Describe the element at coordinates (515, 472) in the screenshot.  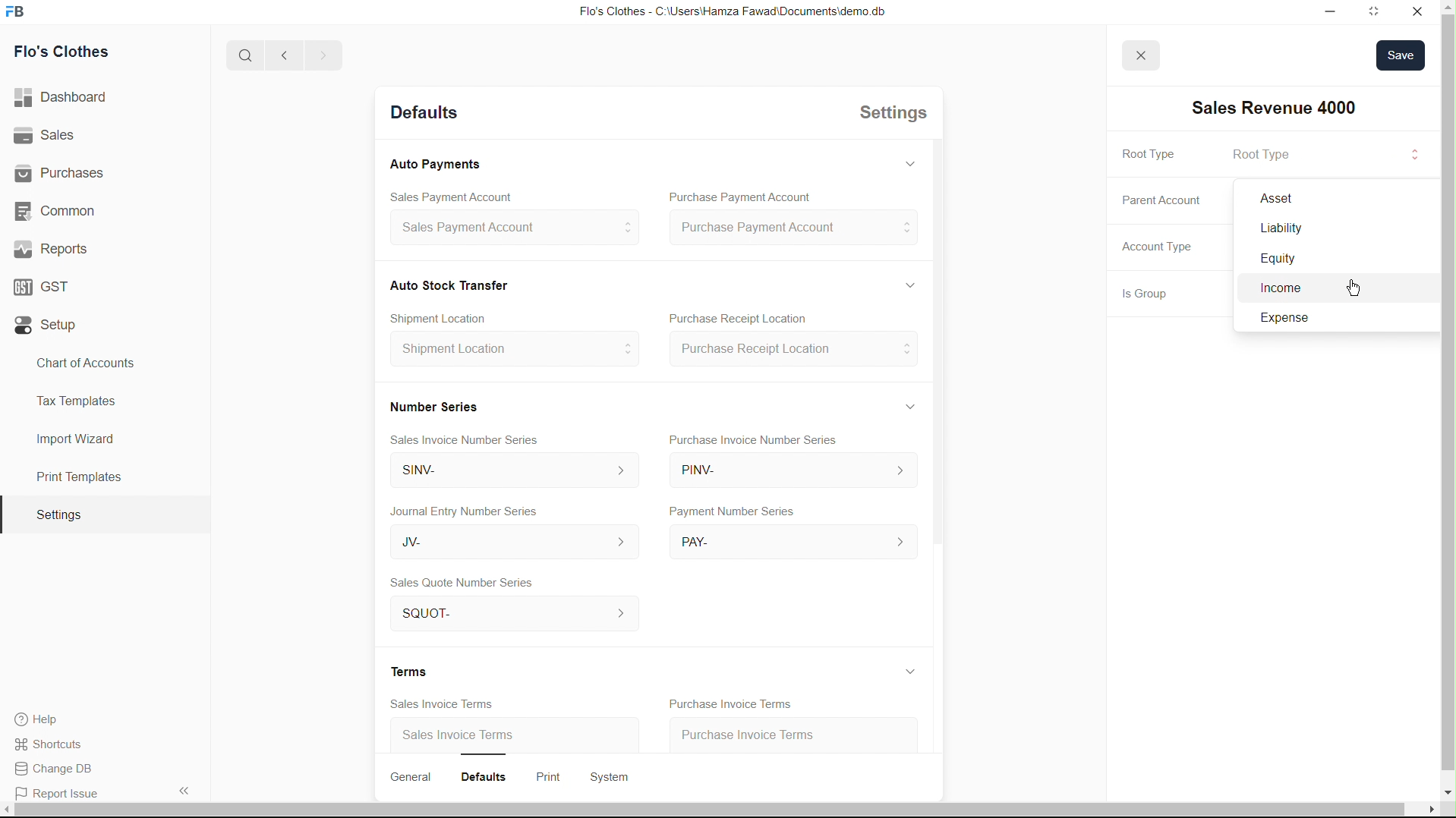
I see `SINV-` at that location.